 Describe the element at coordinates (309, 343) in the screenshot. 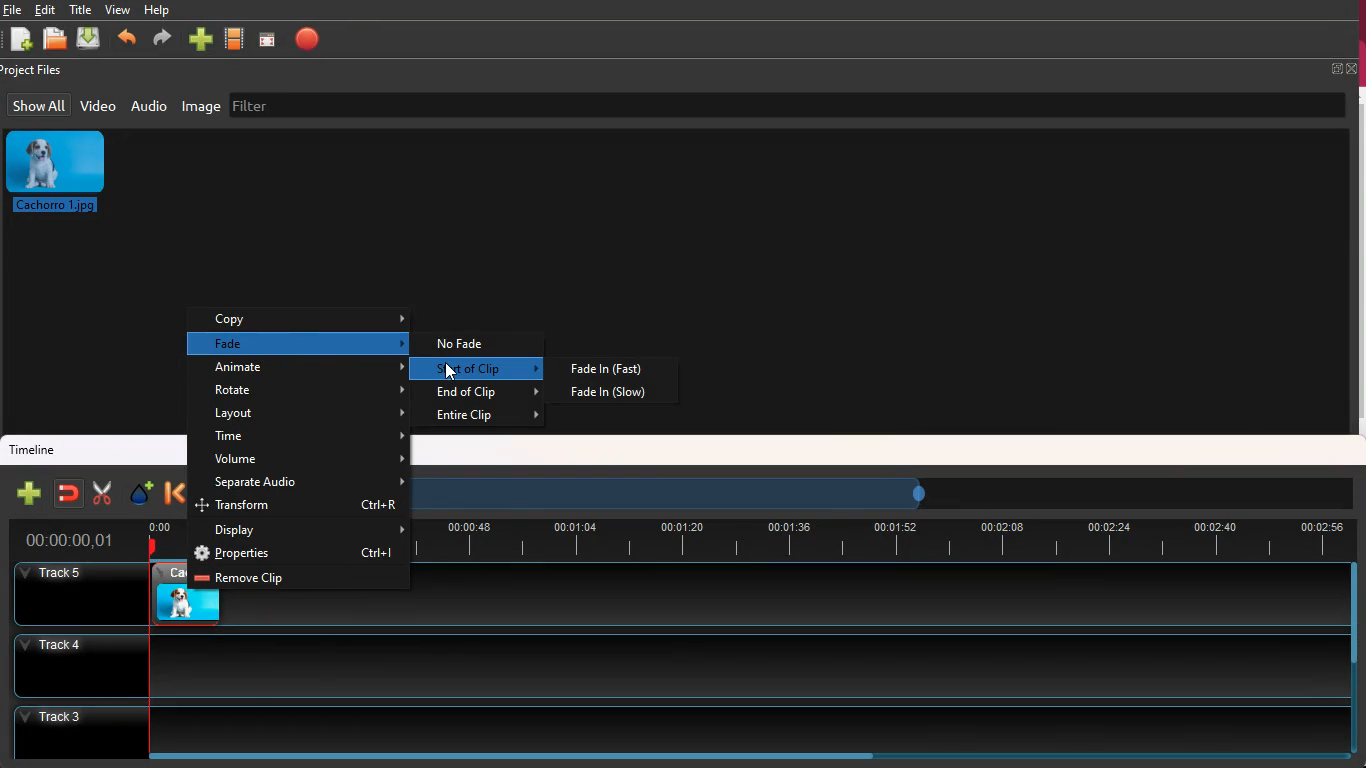

I see `fade` at that location.